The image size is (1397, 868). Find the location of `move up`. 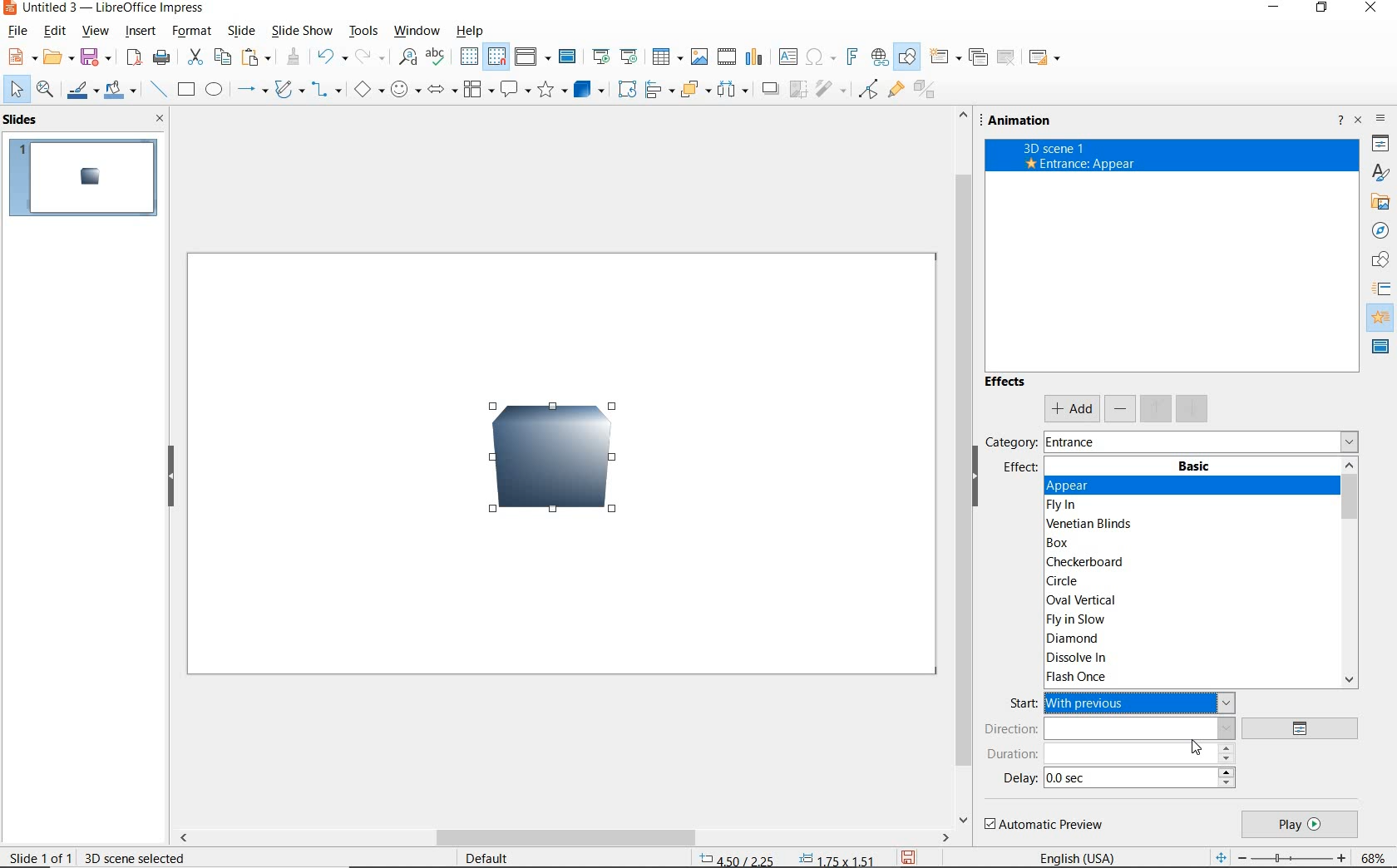

move up is located at coordinates (1157, 408).